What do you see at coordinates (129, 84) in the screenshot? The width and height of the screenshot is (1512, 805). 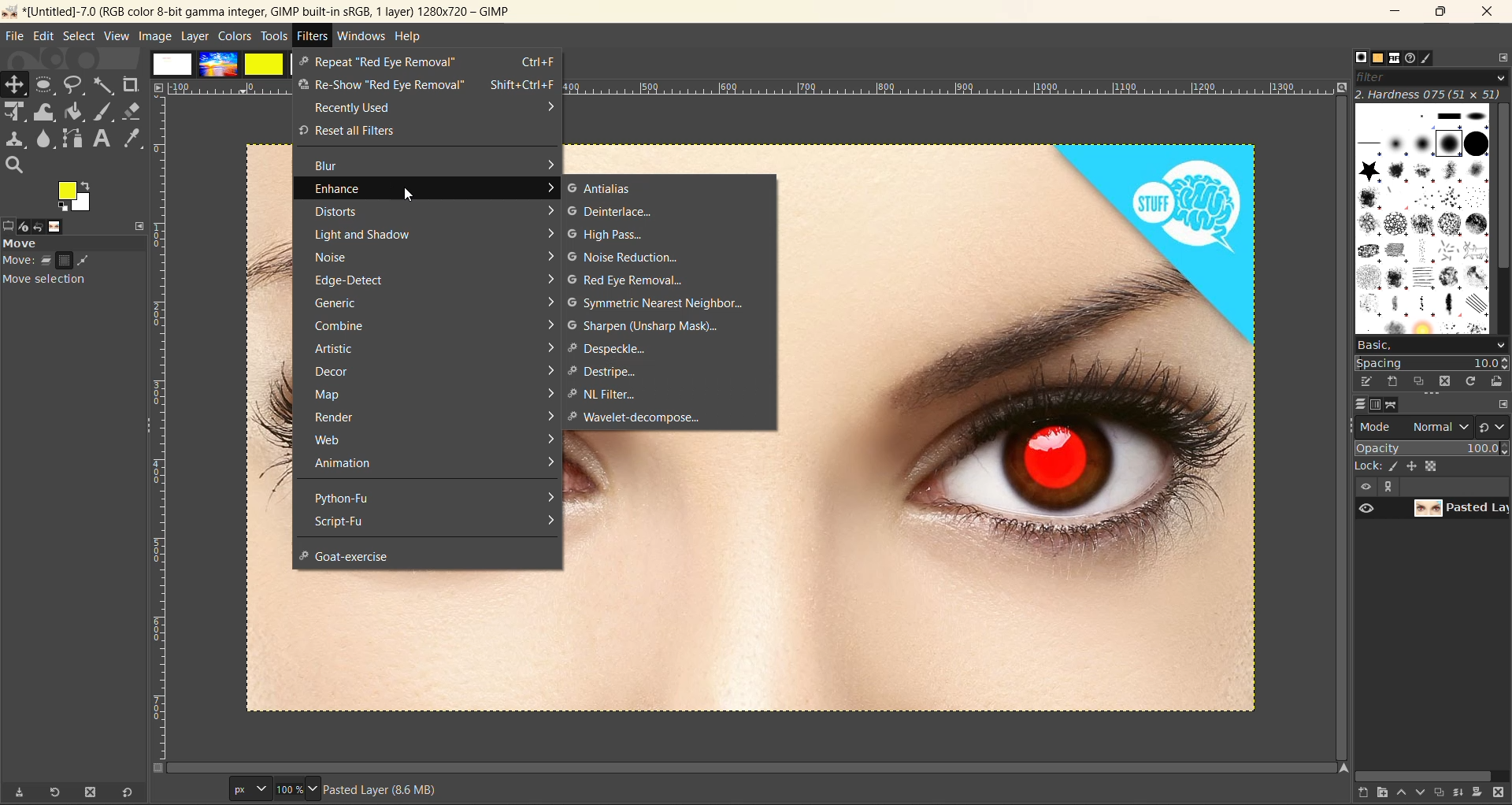 I see `crope` at bounding box center [129, 84].